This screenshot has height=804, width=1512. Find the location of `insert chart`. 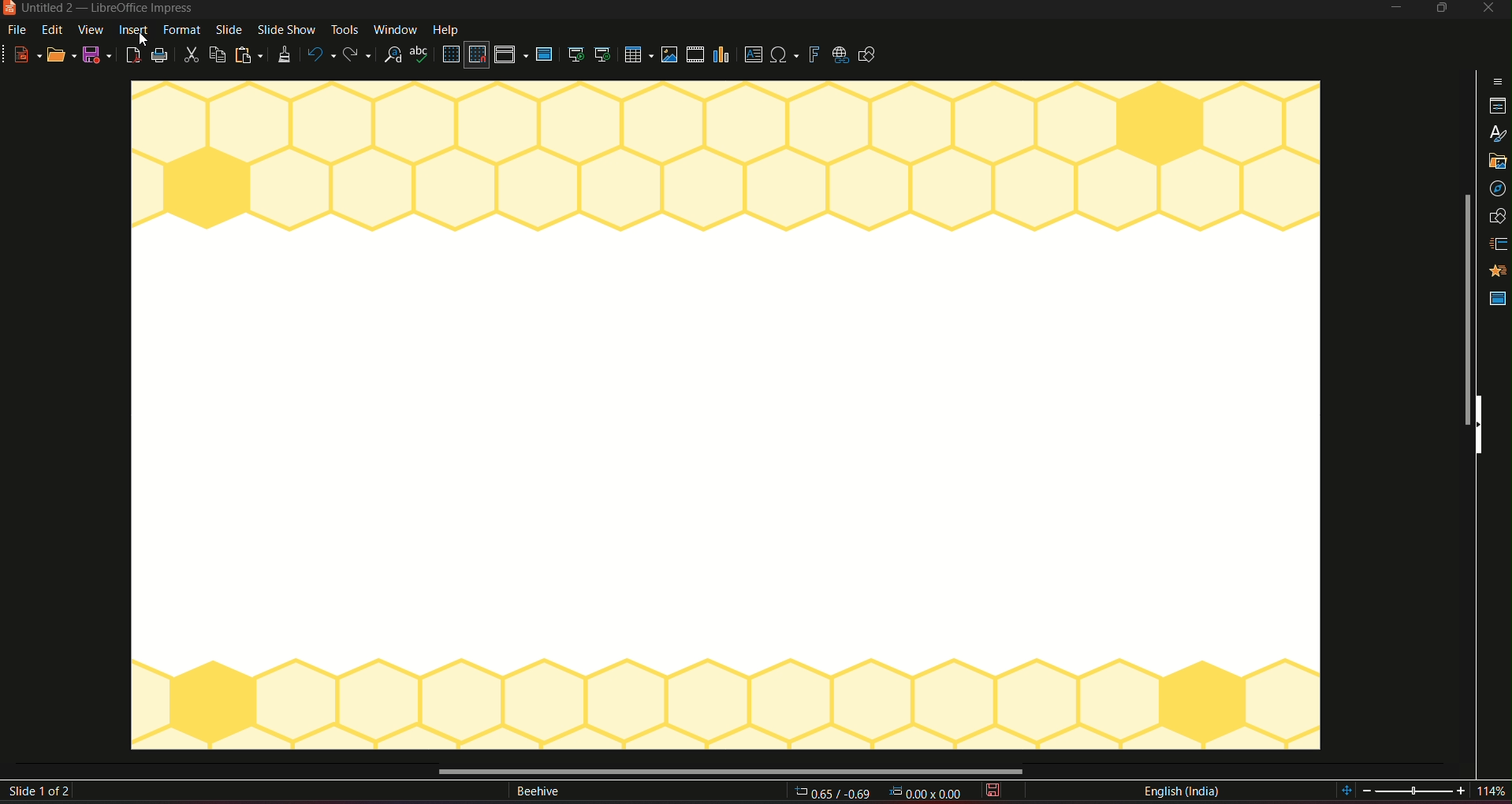

insert chart is located at coordinates (723, 54).